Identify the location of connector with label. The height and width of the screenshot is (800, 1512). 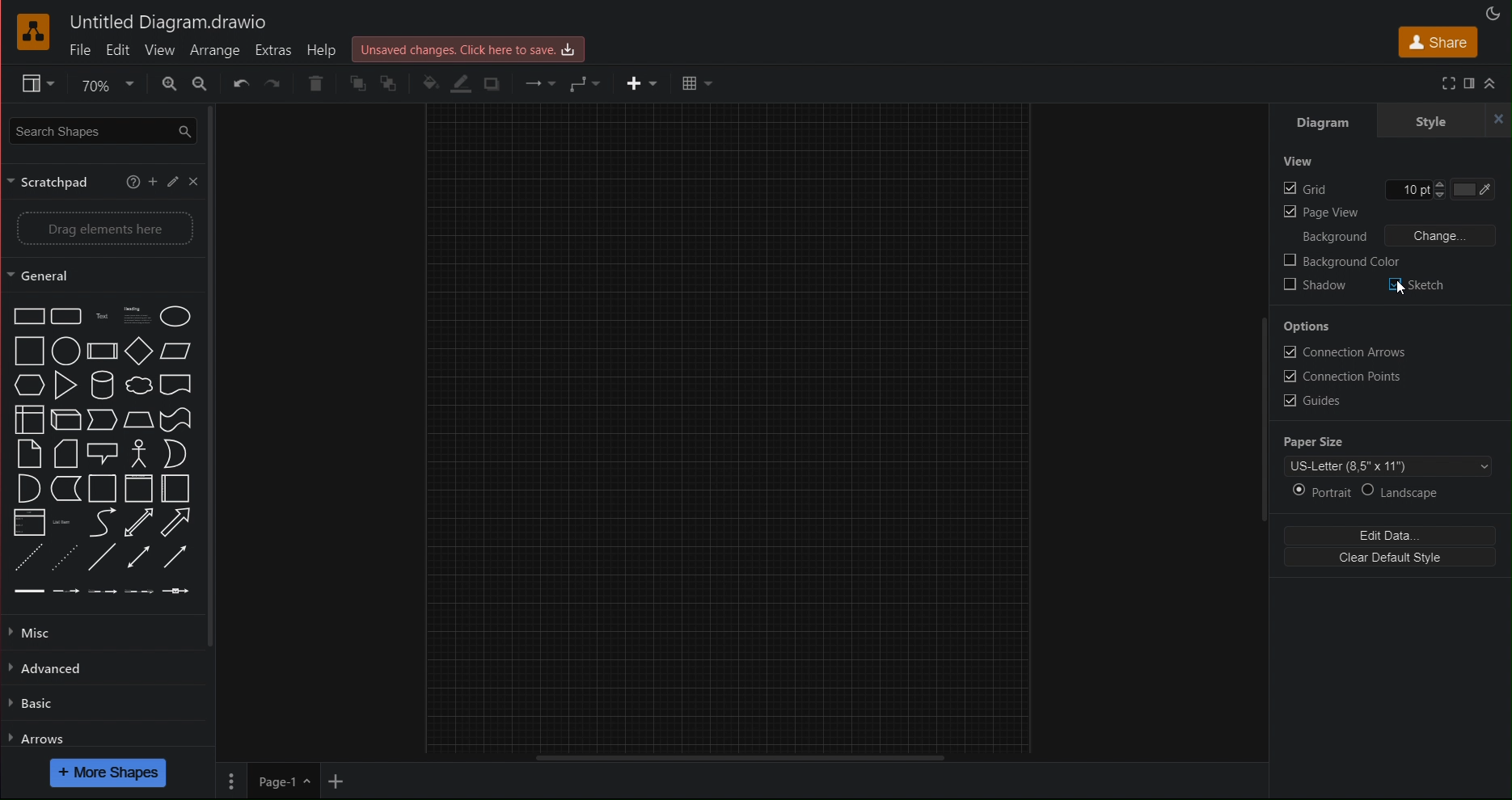
(64, 594).